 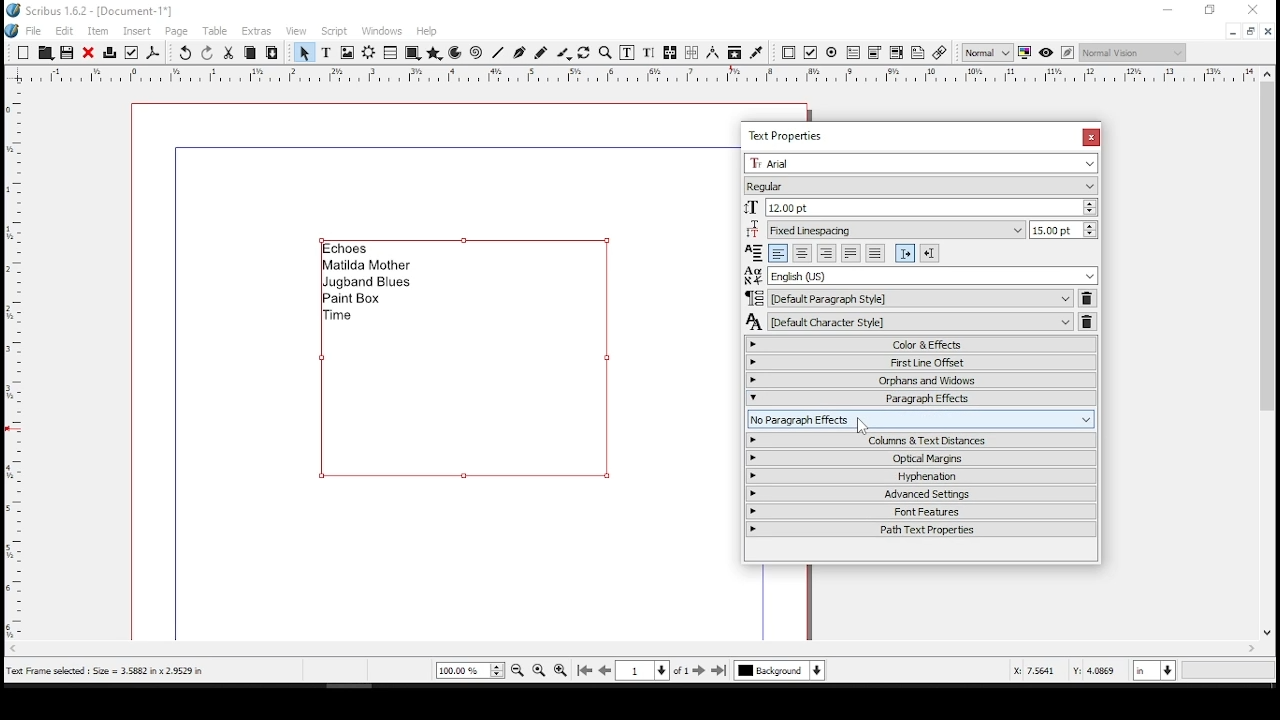 What do you see at coordinates (919, 436) in the screenshot?
I see `no paragraph effects` at bounding box center [919, 436].